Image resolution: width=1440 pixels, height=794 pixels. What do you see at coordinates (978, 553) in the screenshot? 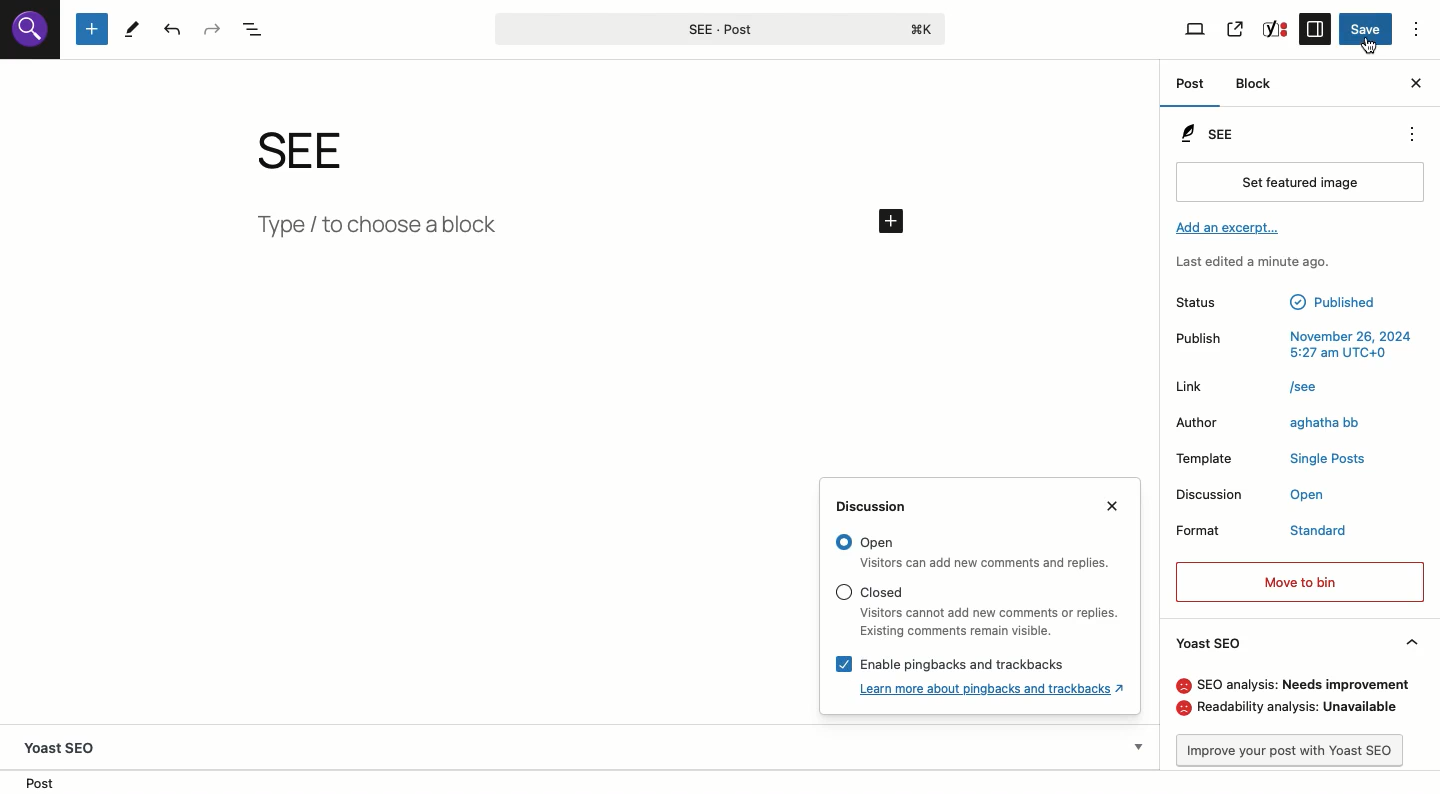
I see `Goren
Visitors can add new comments and replies.` at bounding box center [978, 553].